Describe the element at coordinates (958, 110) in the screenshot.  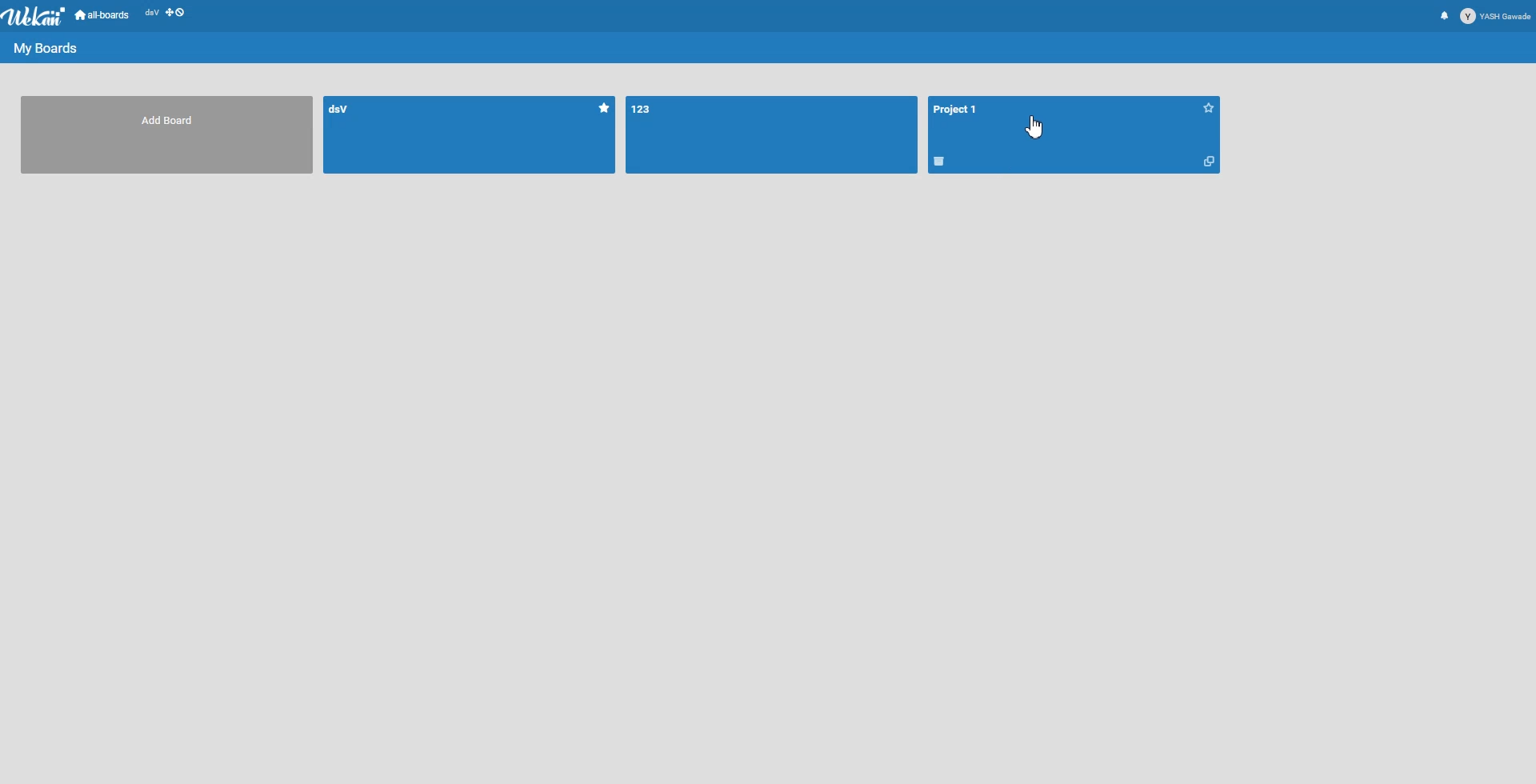
I see `Project 1` at that location.